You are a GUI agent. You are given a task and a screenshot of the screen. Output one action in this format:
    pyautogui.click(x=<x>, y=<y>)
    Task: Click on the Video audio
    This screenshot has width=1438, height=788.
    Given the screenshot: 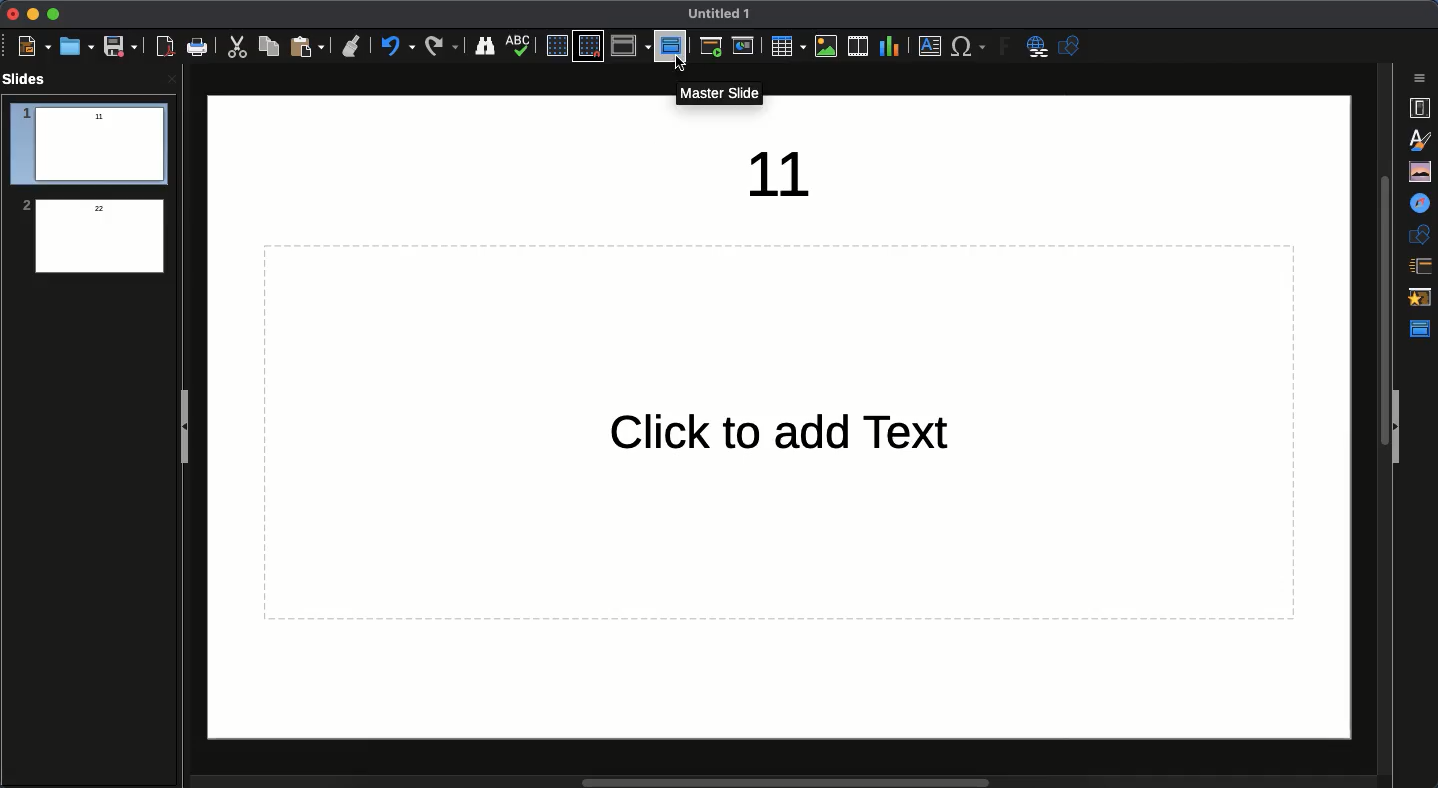 What is the action you would take?
    pyautogui.click(x=856, y=47)
    